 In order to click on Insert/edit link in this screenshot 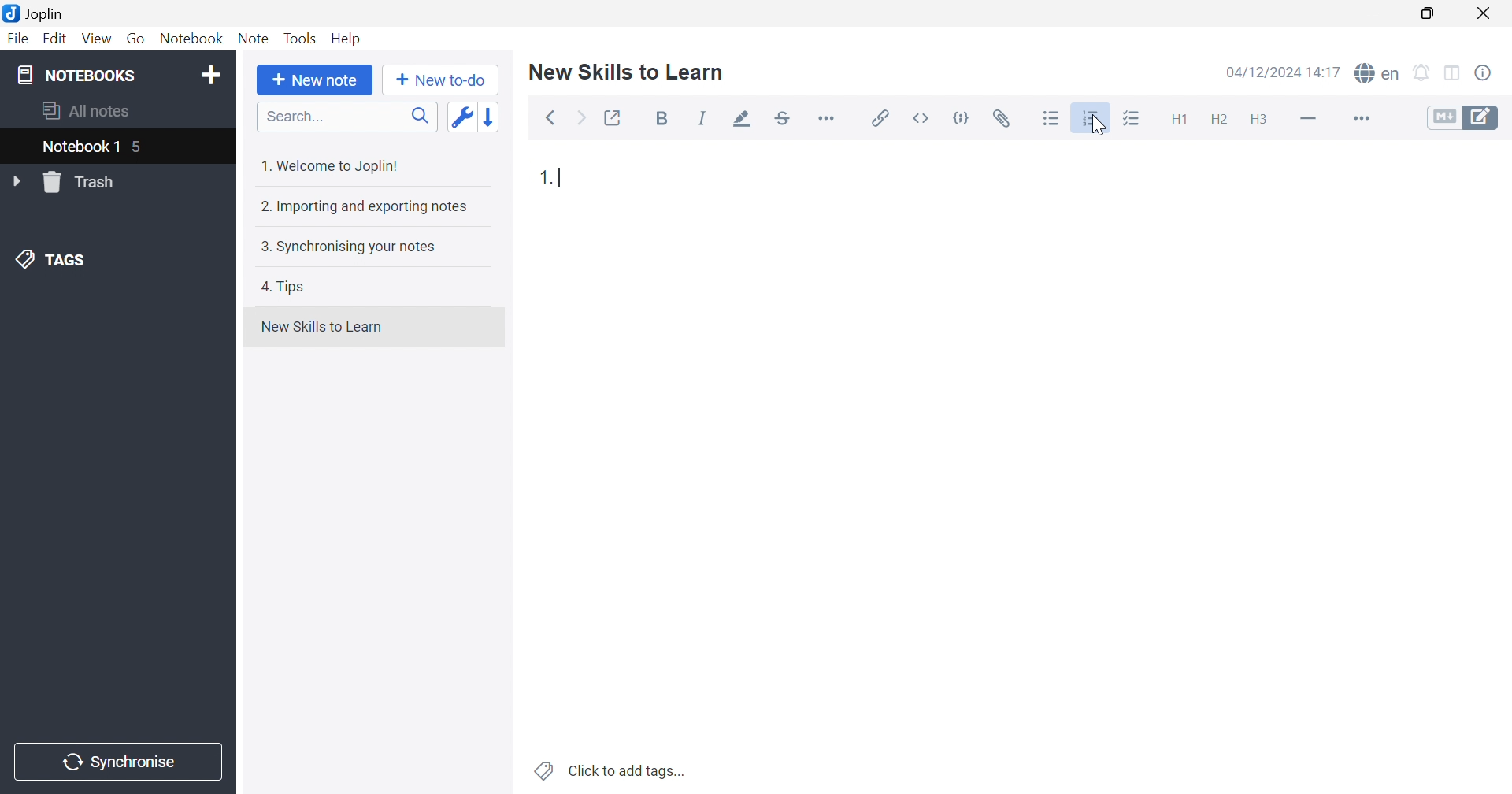, I will do `click(878, 118)`.